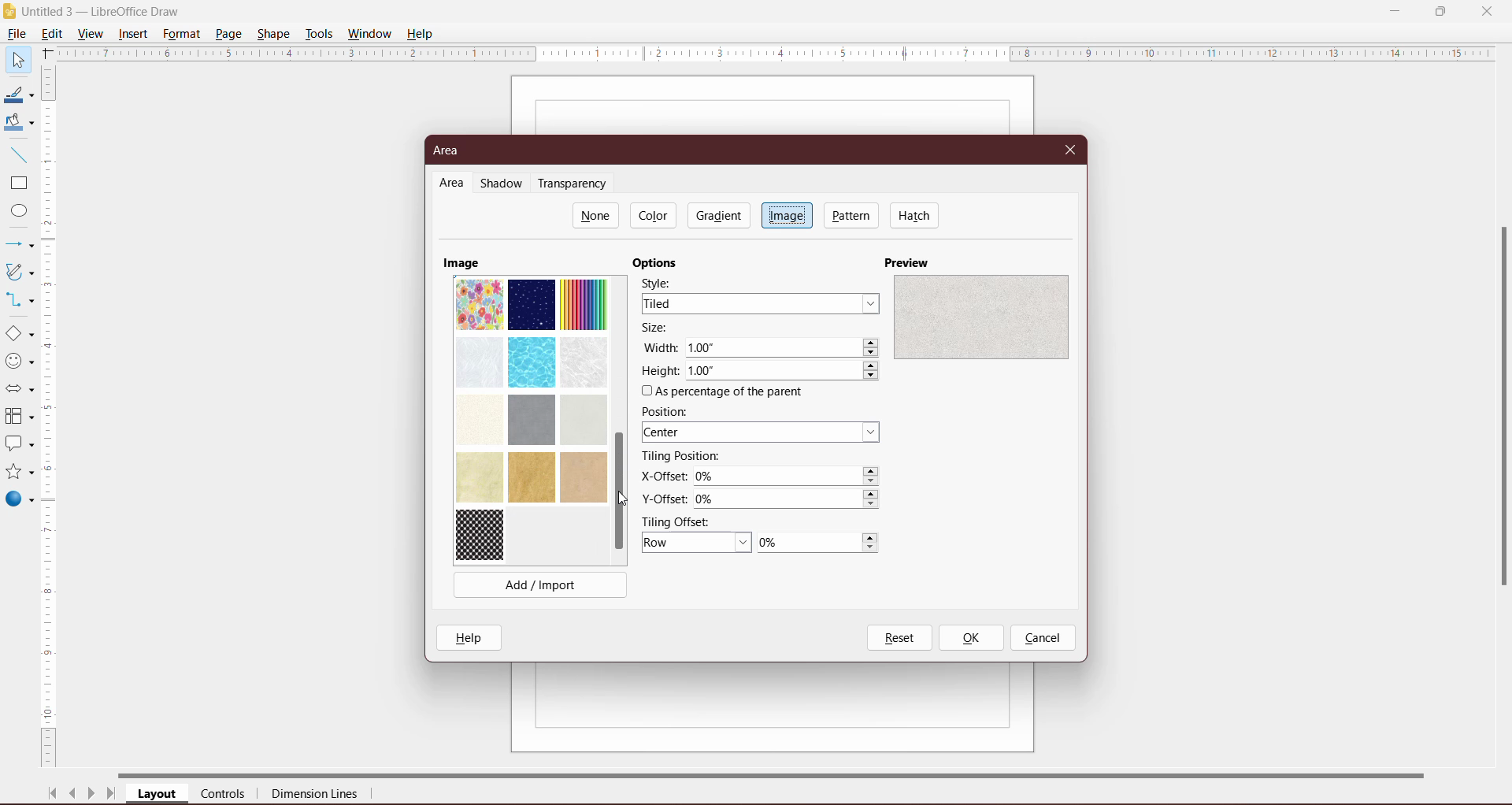 The width and height of the screenshot is (1512, 805). Describe the element at coordinates (791, 499) in the screenshot. I see `Set the Y-Offset` at that location.